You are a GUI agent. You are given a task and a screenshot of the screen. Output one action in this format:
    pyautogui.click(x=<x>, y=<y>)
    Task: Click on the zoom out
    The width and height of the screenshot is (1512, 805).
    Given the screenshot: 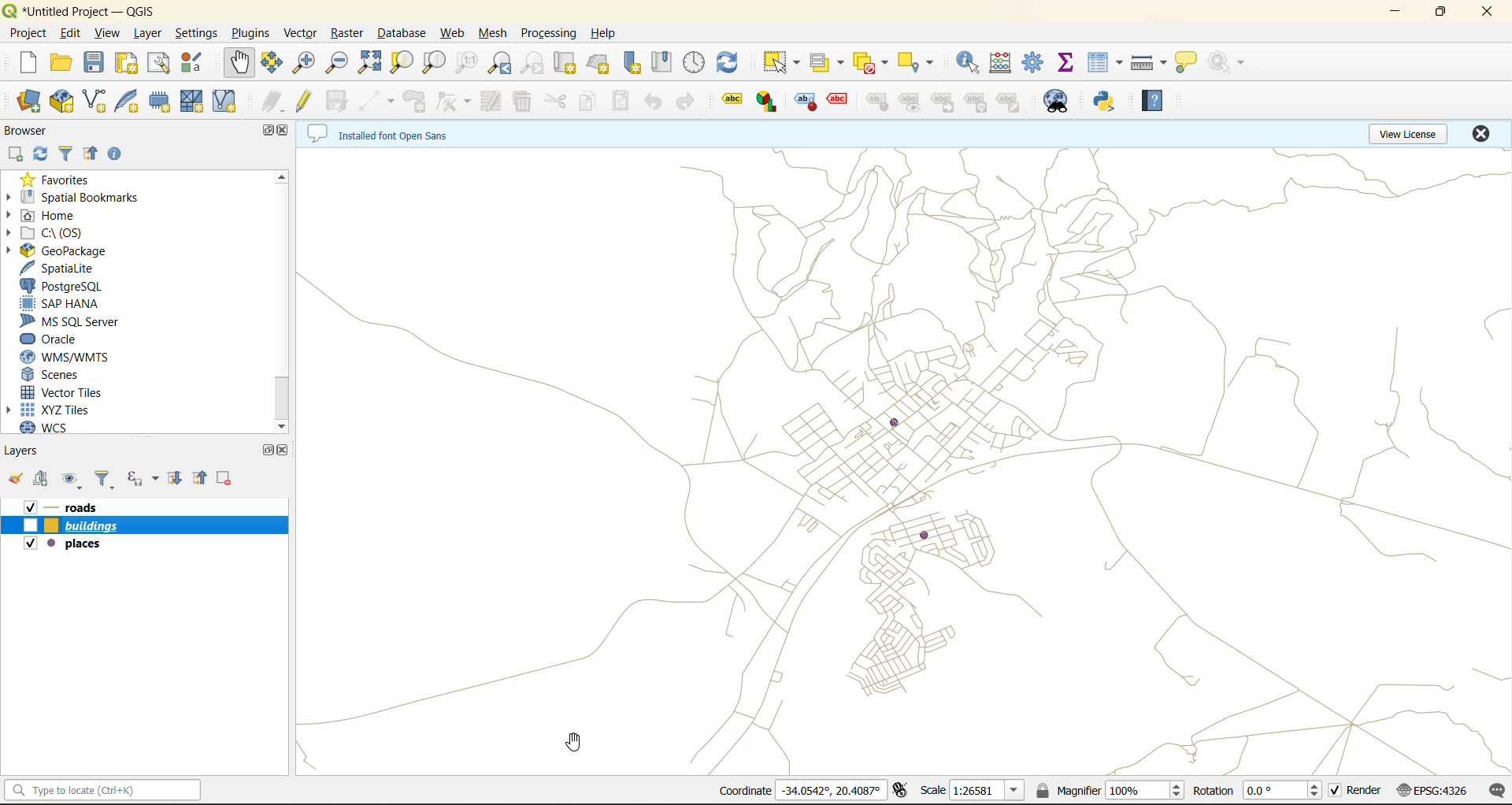 What is the action you would take?
    pyautogui.click(x=339, y=66)
    